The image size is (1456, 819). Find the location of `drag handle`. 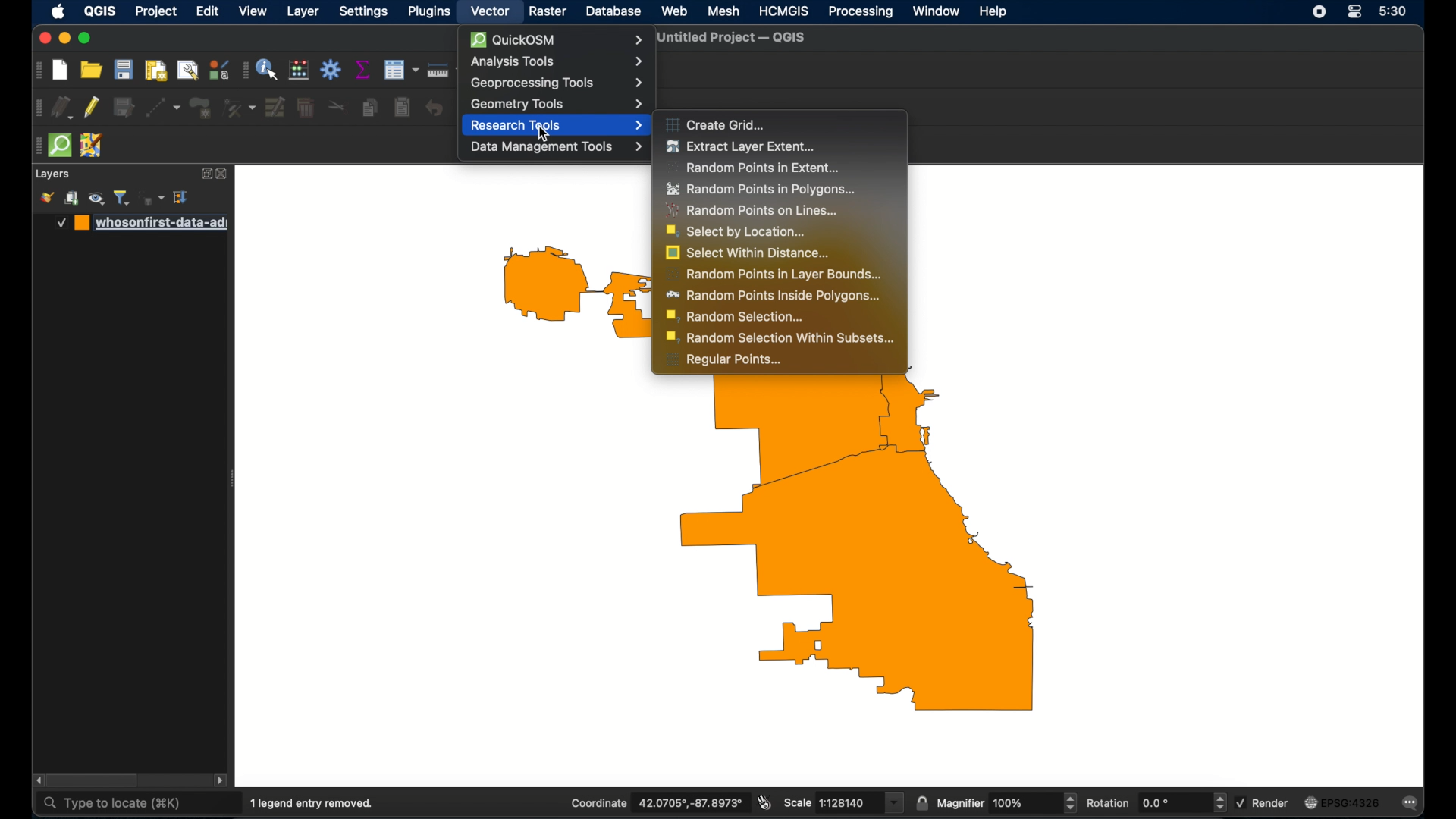

drag handle is located at coordinates (243, 70).